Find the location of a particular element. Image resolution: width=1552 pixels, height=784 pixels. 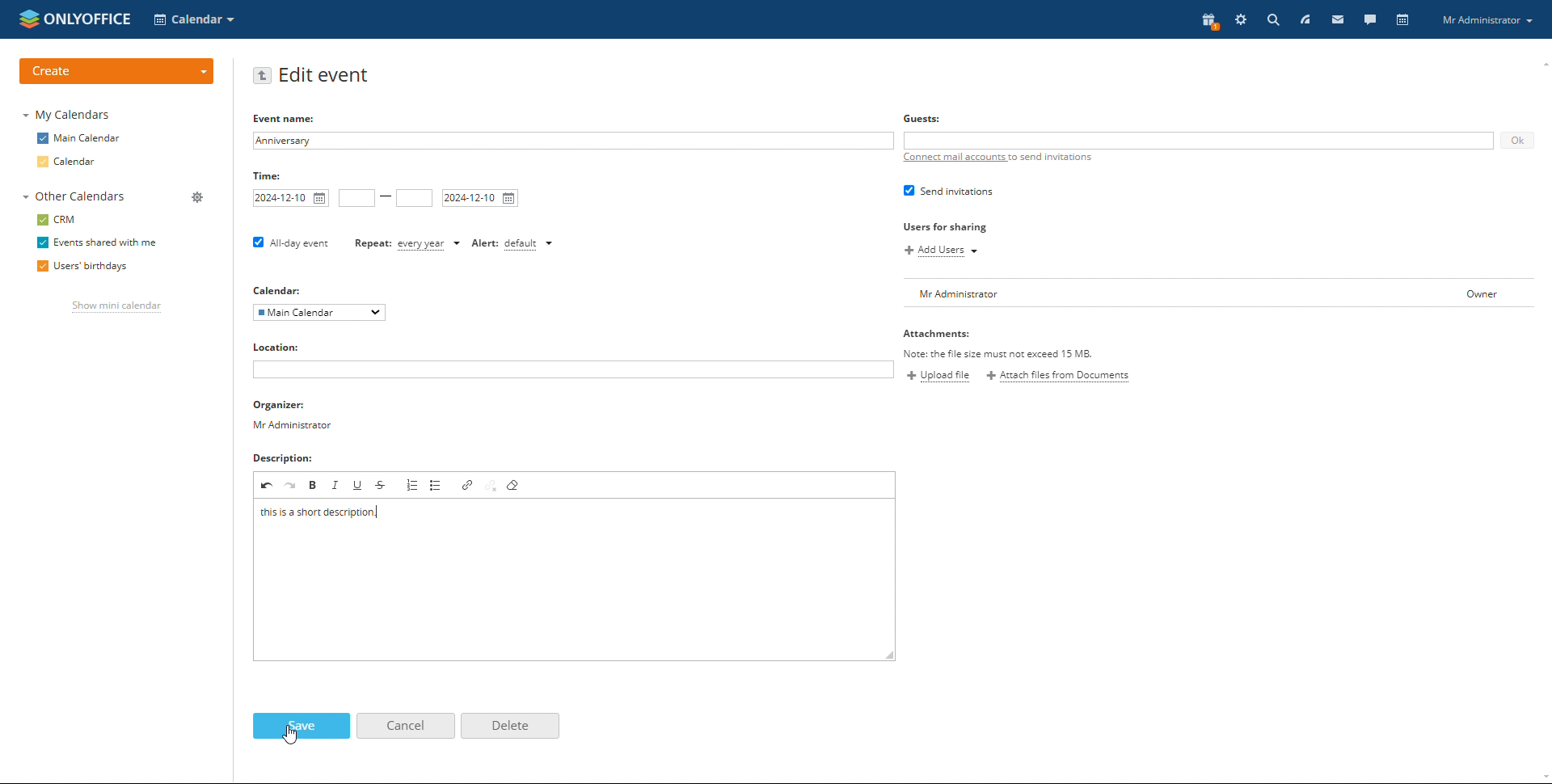

show mini calendar is located at coordinates (115, 307).